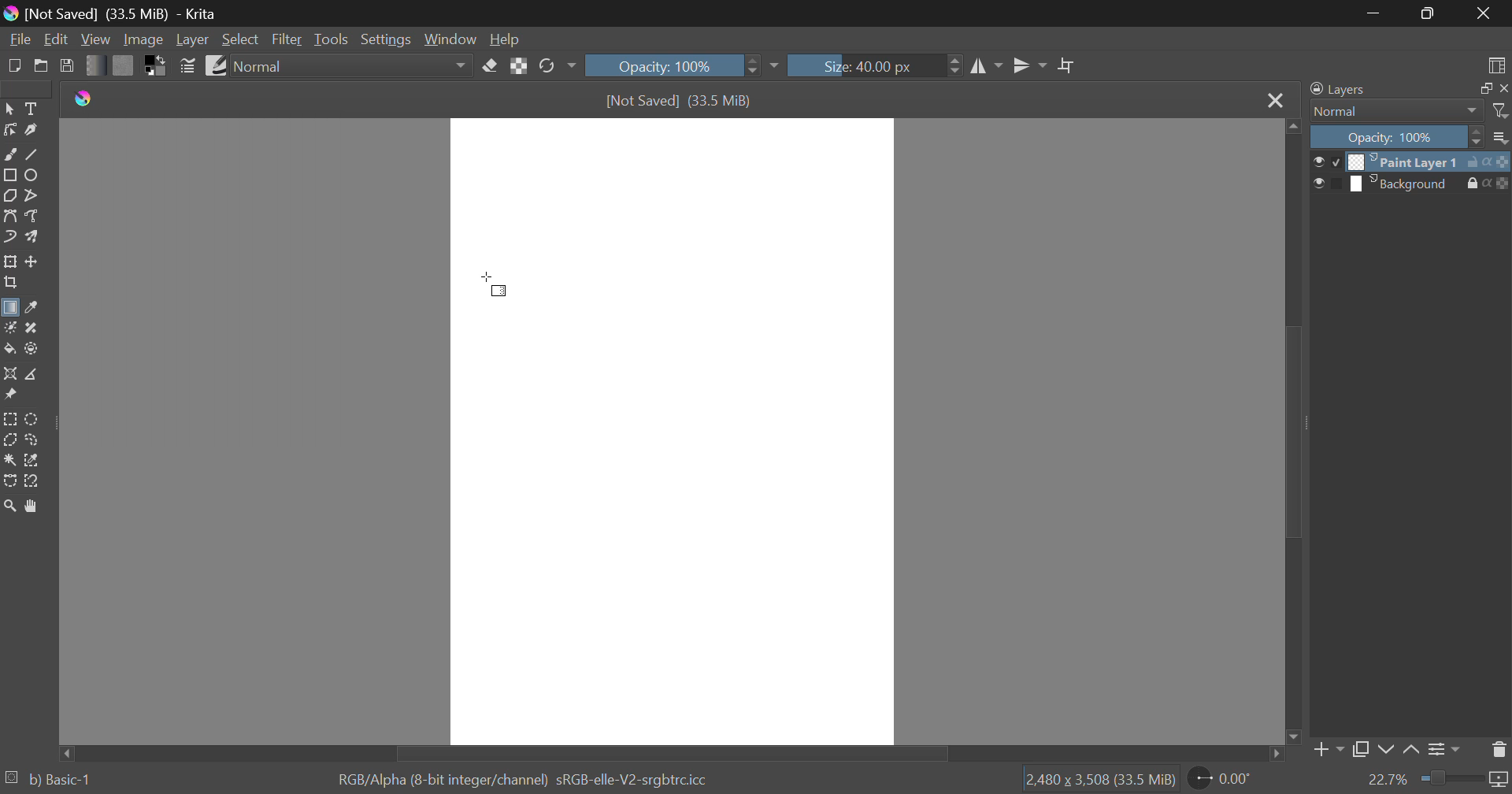  Describe the element at coordinates (9, 397) in the screenshot. I see `Reference Images` at that location.